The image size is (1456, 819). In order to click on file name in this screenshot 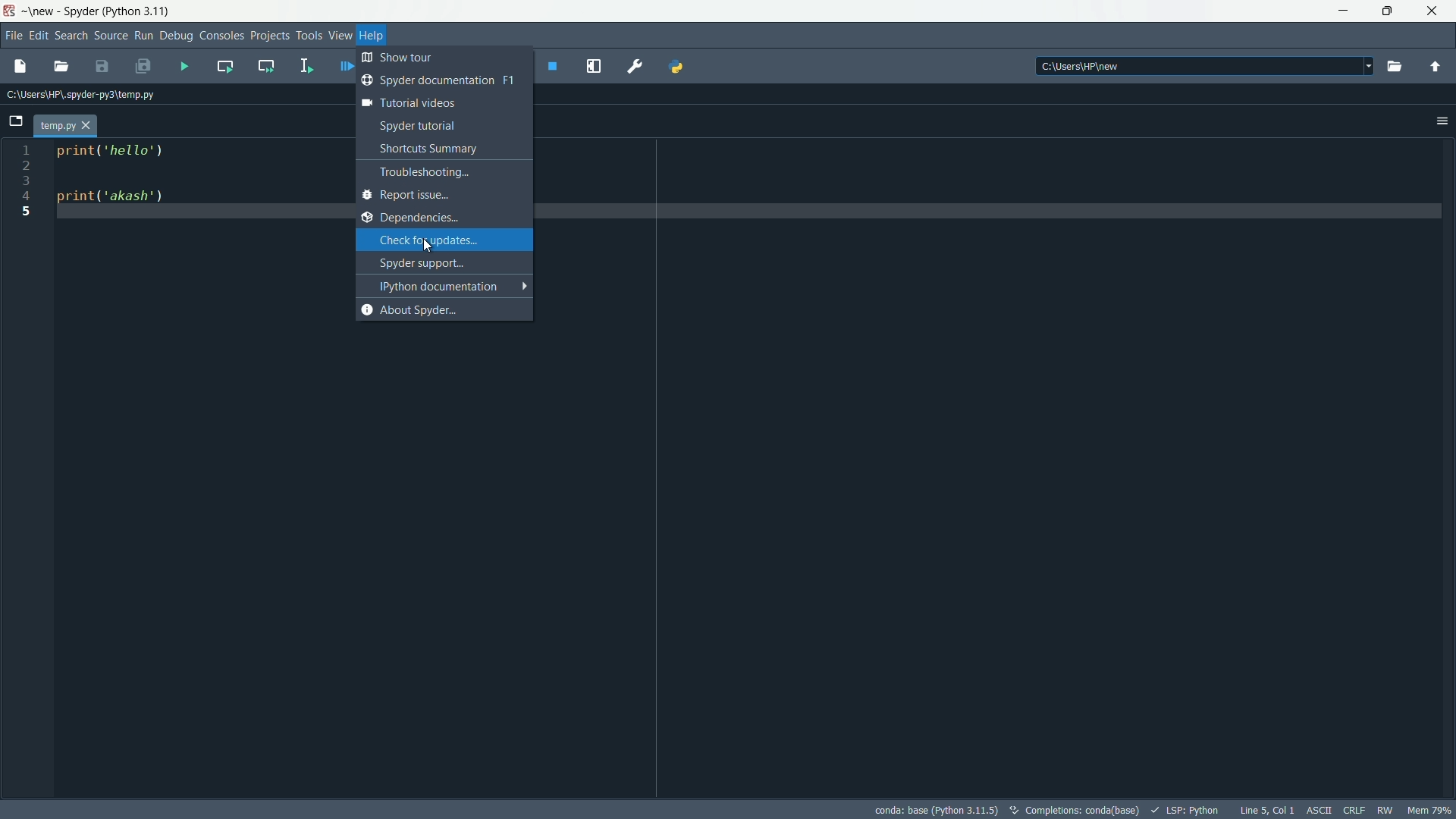, I will do `click(58, 125)`.